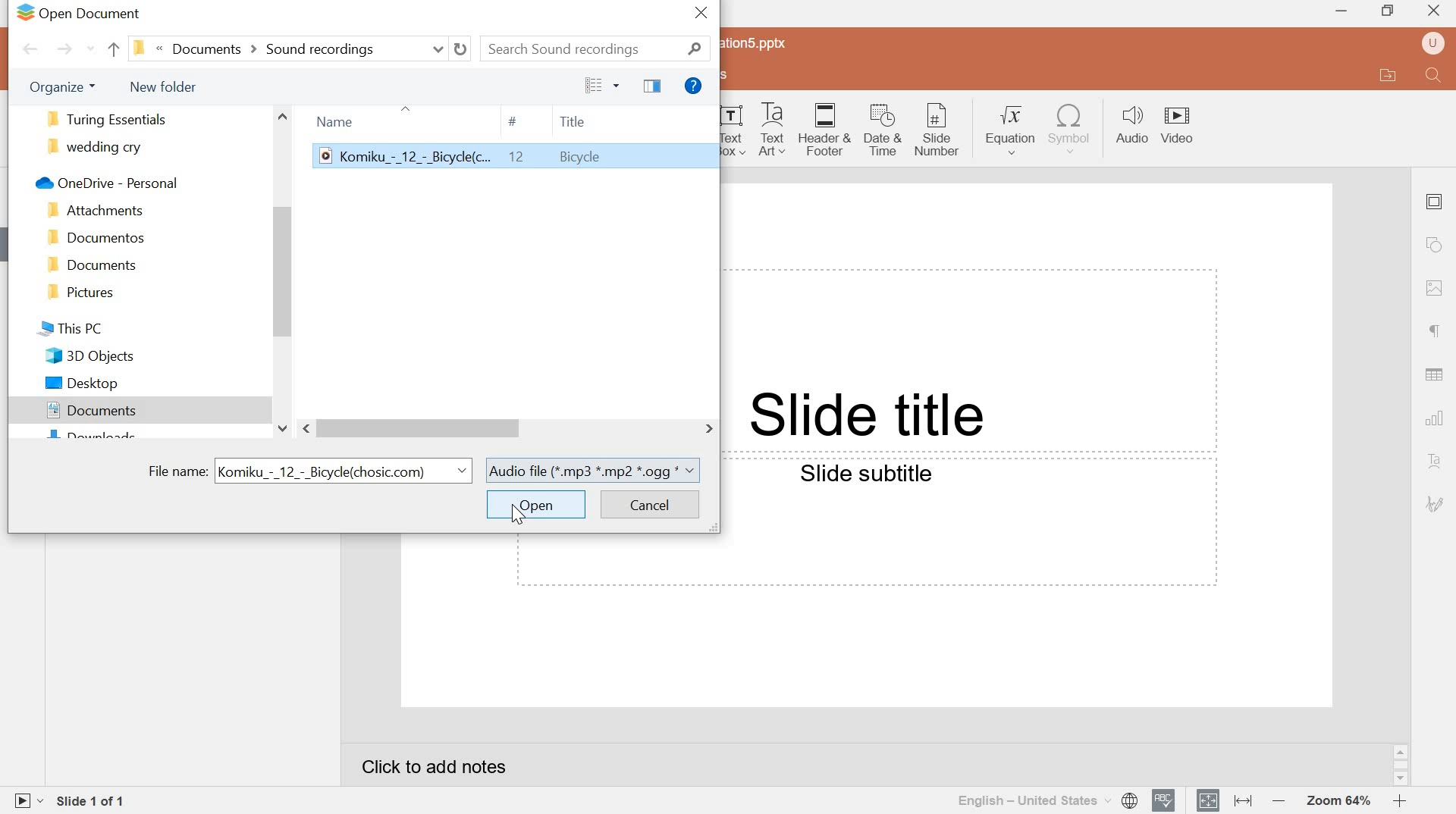 The height and width of the screenshot is (814, 1456). What do you see at coordinates (972, 362) in the screenshot?
I see `Text field` at bounding box center [972, 362].